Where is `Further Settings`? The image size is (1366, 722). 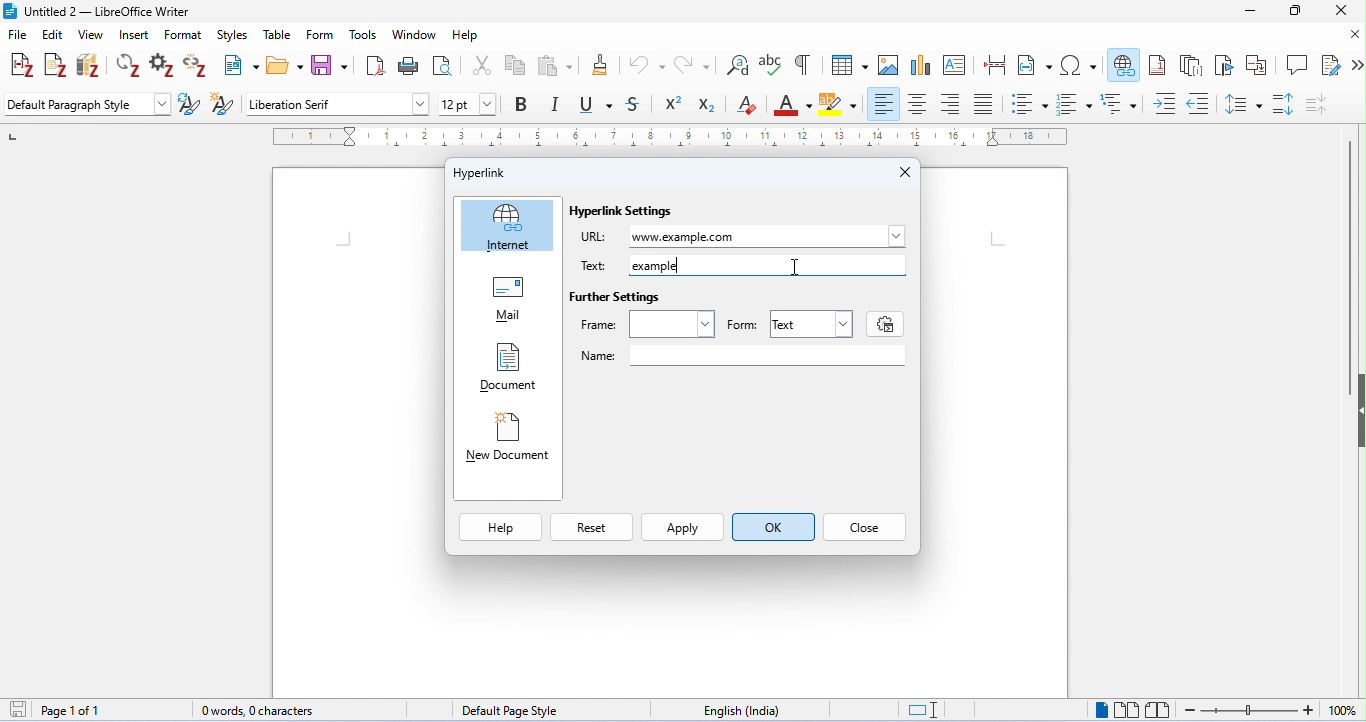
Further Settings is located at coordinates (628, 297).